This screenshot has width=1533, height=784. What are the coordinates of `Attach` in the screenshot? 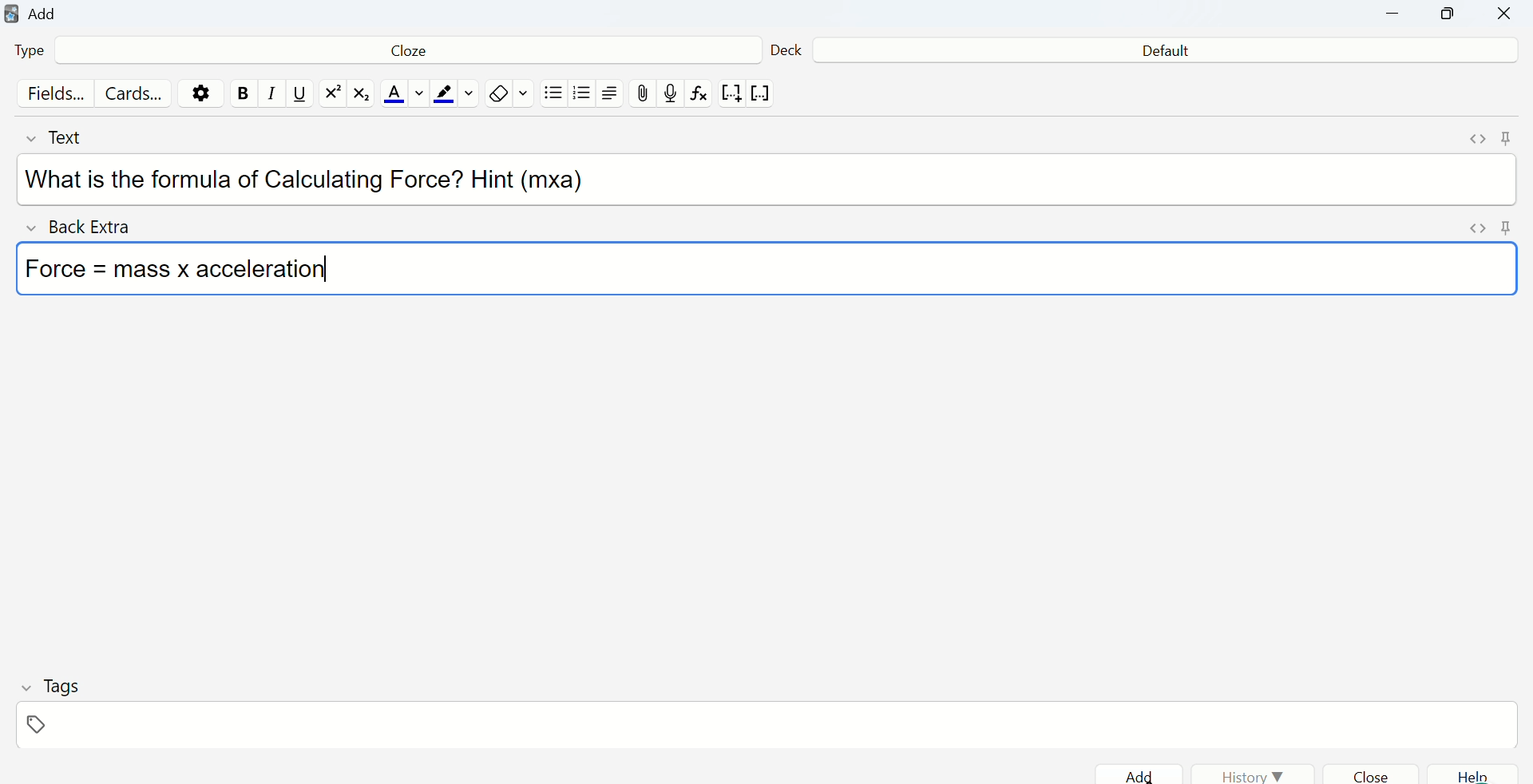 It's located at (644, 93).